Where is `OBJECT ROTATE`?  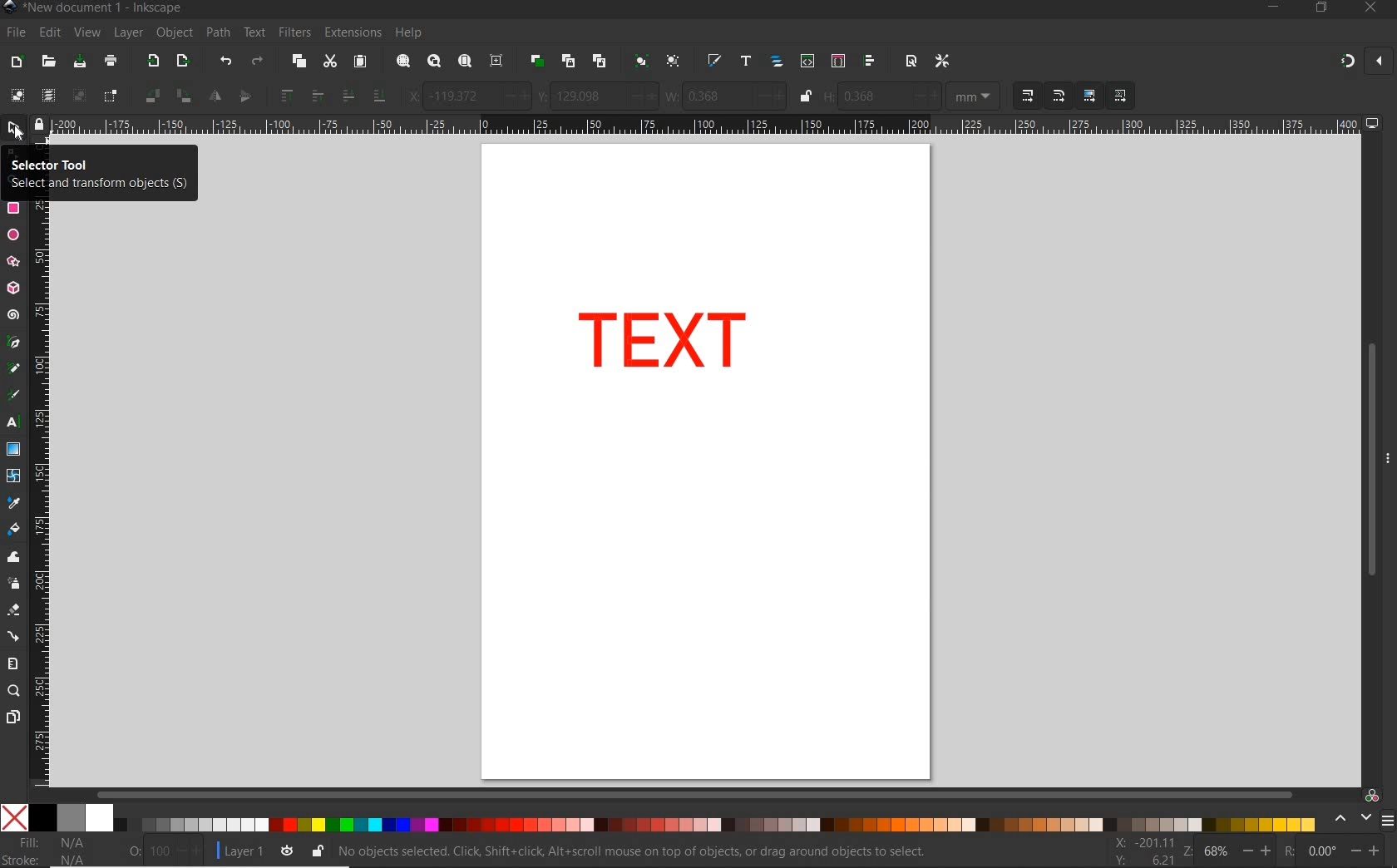 OBJECT ROTATE is located at coordinates (167, 95).